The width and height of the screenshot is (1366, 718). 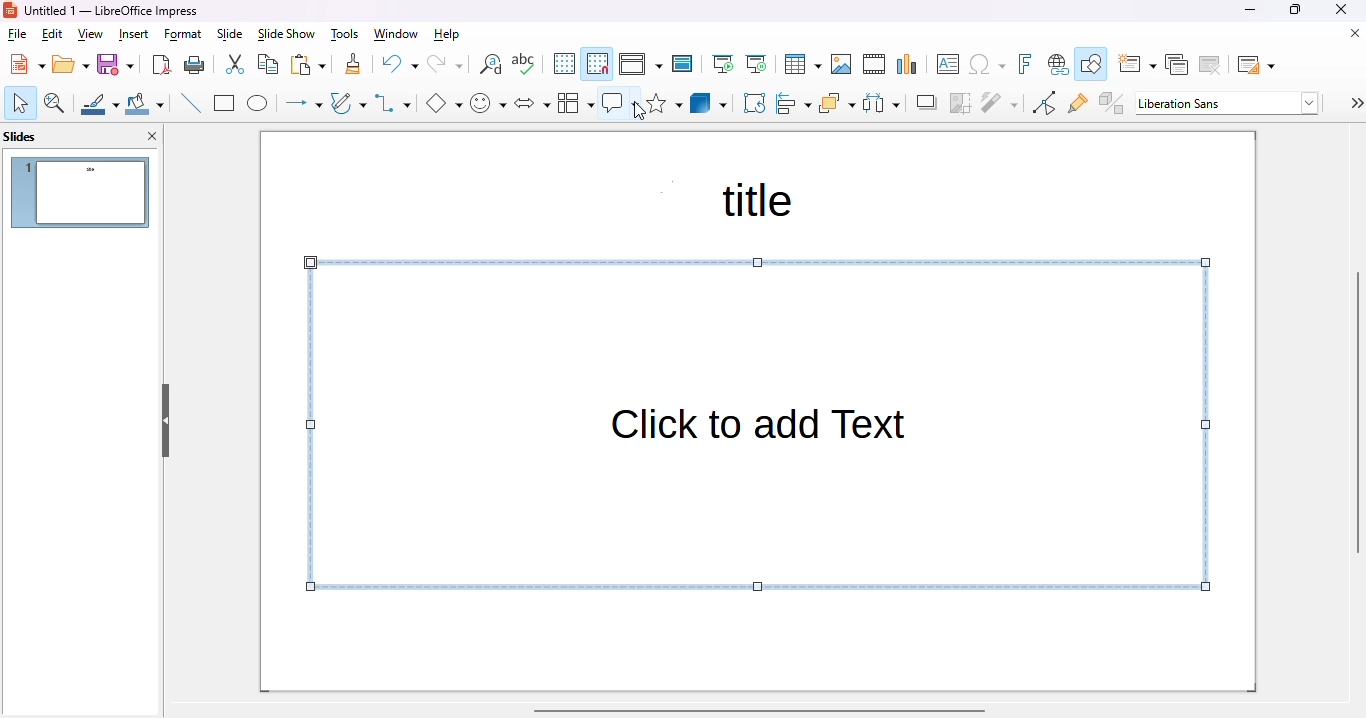 What do you see at coordinates (755, 103) in the screenshot?
I see `rotate` at bounding box center [755, 103].